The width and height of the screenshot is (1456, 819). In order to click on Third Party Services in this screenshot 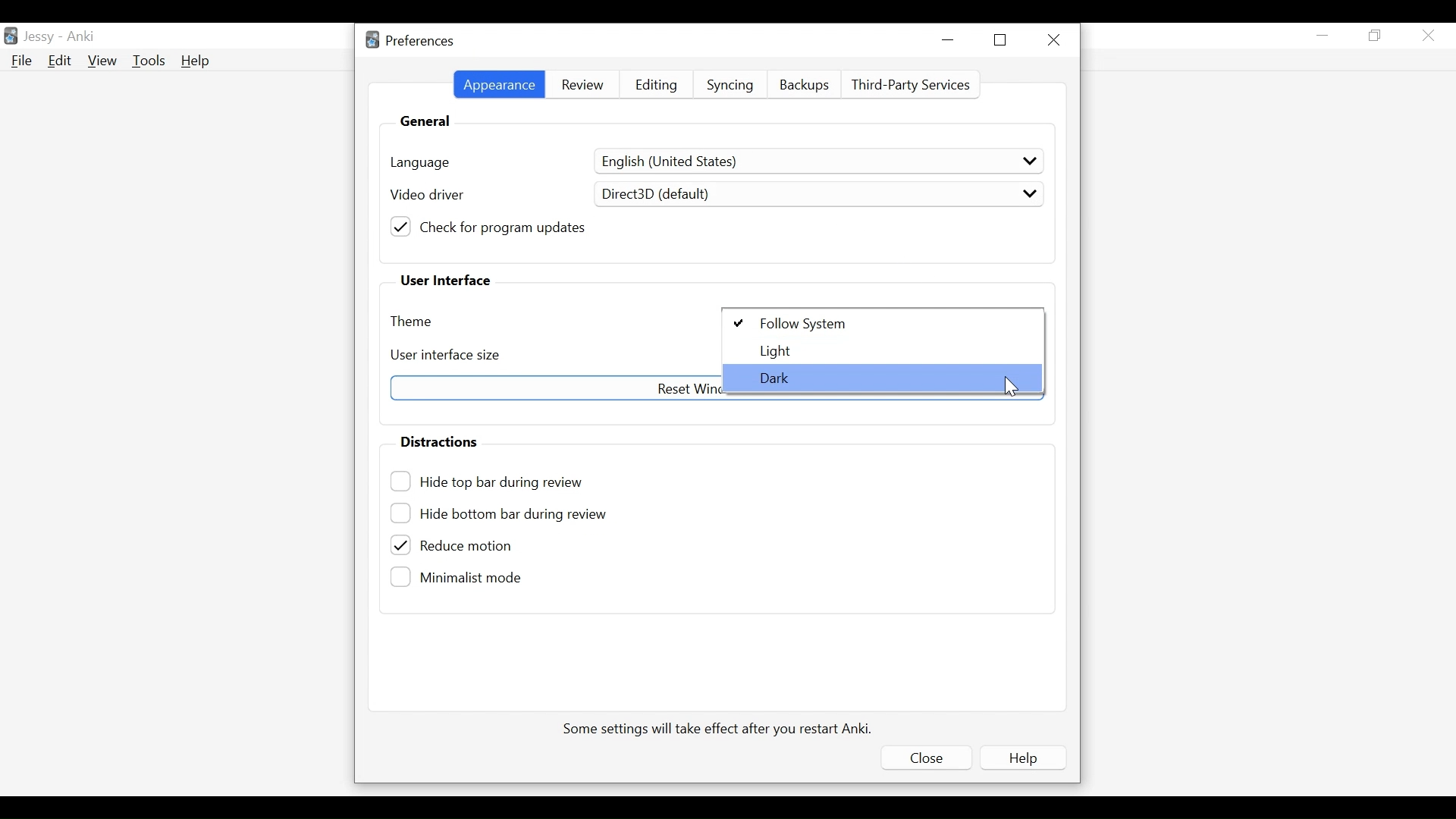, I will do `click(911, 86)`.